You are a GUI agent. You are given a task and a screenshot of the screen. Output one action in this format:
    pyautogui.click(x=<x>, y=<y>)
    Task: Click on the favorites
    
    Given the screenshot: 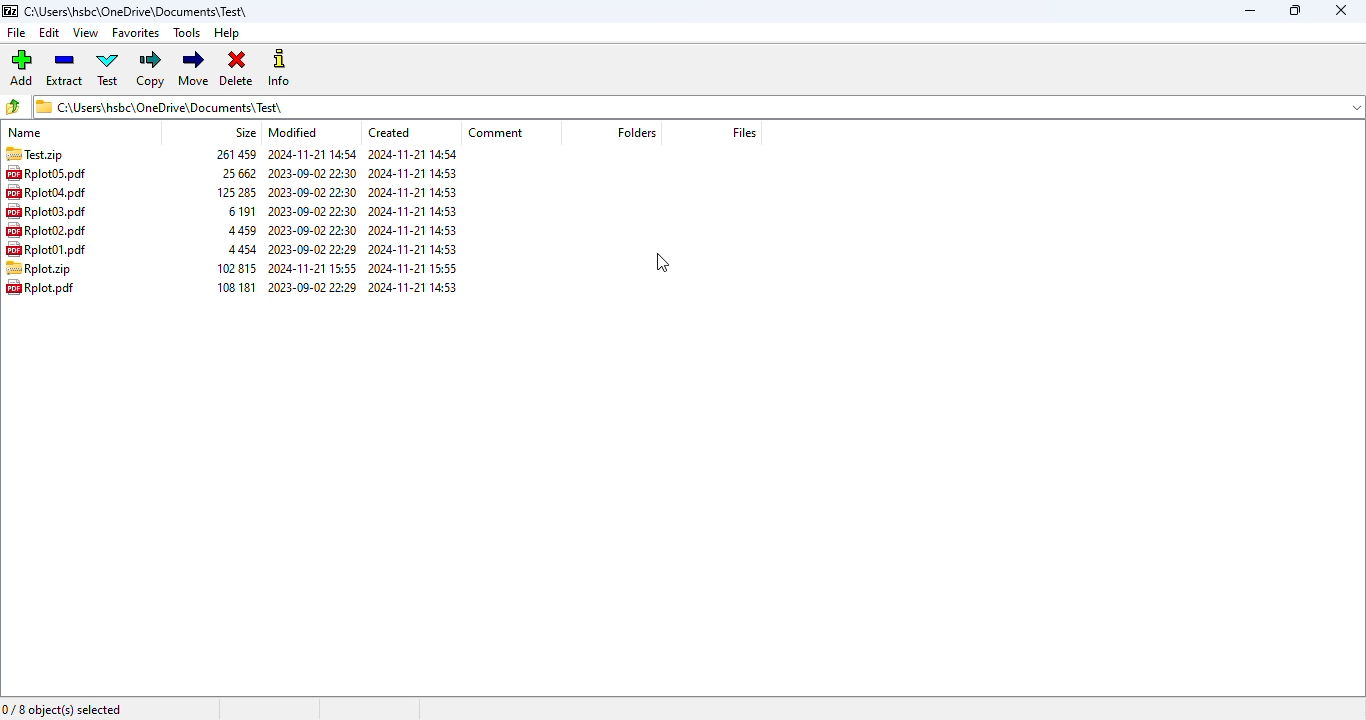 What is the action you would take?
    pyautogui.click(x=136, y=33)
    